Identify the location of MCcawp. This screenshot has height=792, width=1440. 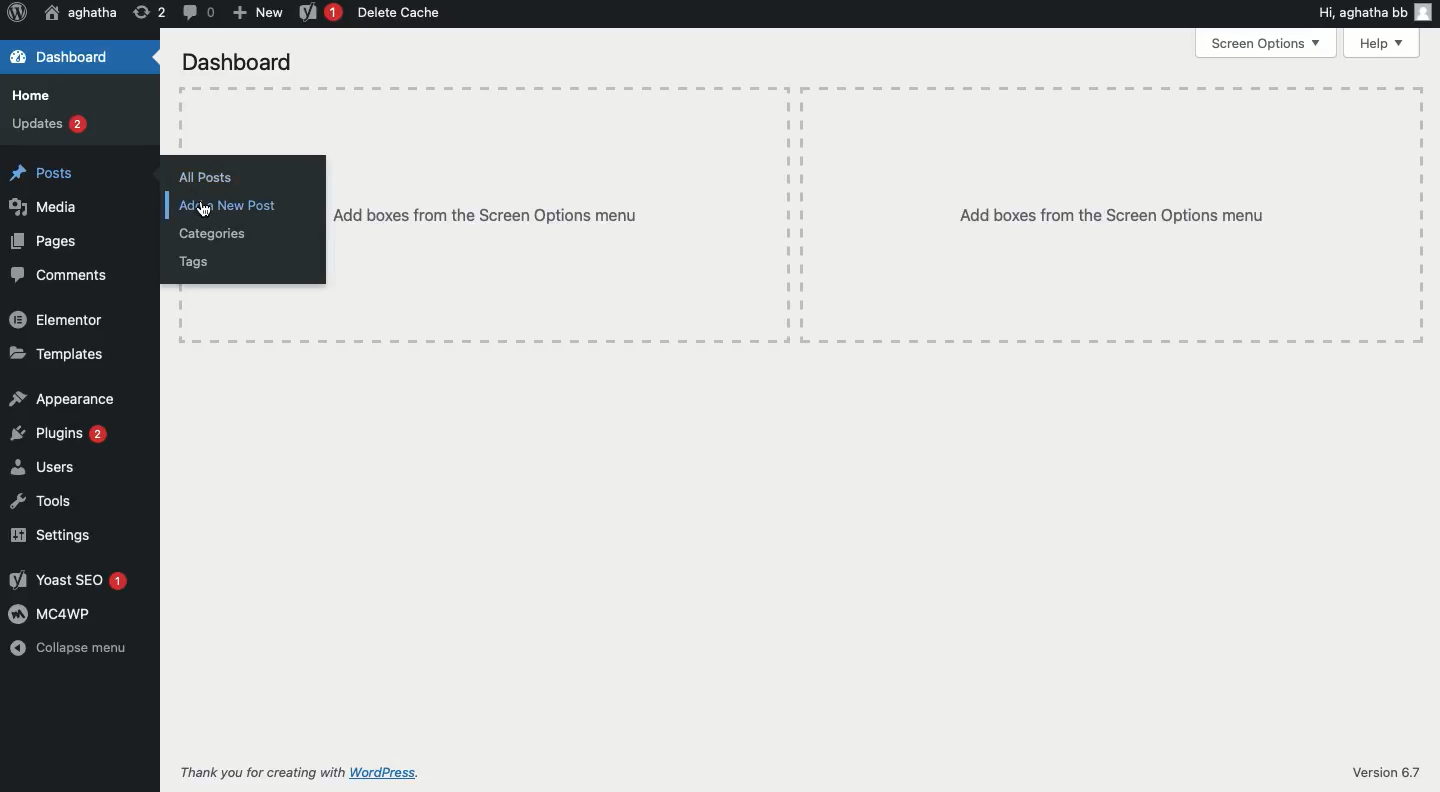
(50, 614).